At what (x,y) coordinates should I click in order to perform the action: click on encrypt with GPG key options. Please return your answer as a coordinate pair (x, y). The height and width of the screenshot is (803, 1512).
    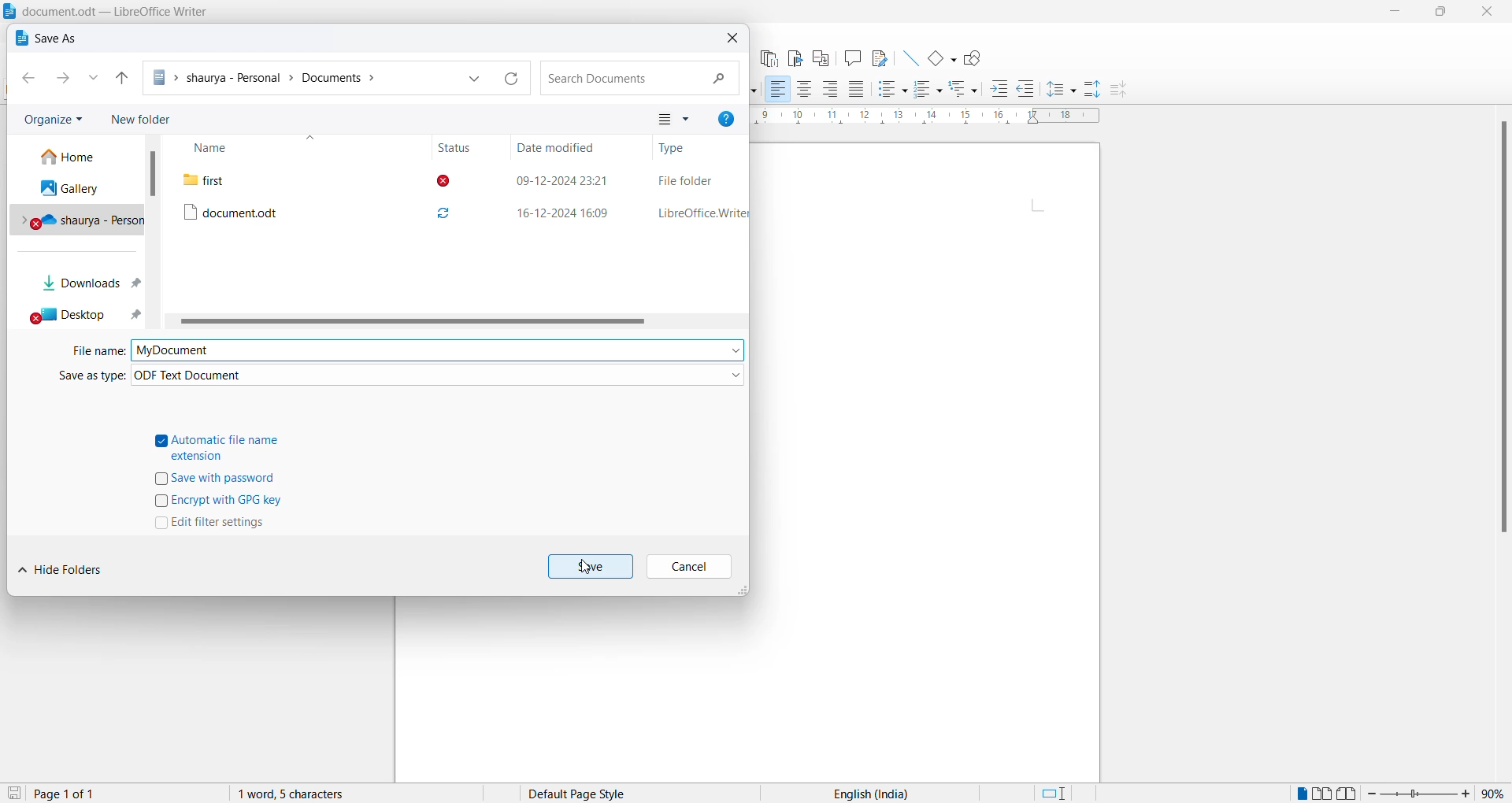
    Looking at the image, I should click on (218, 502).